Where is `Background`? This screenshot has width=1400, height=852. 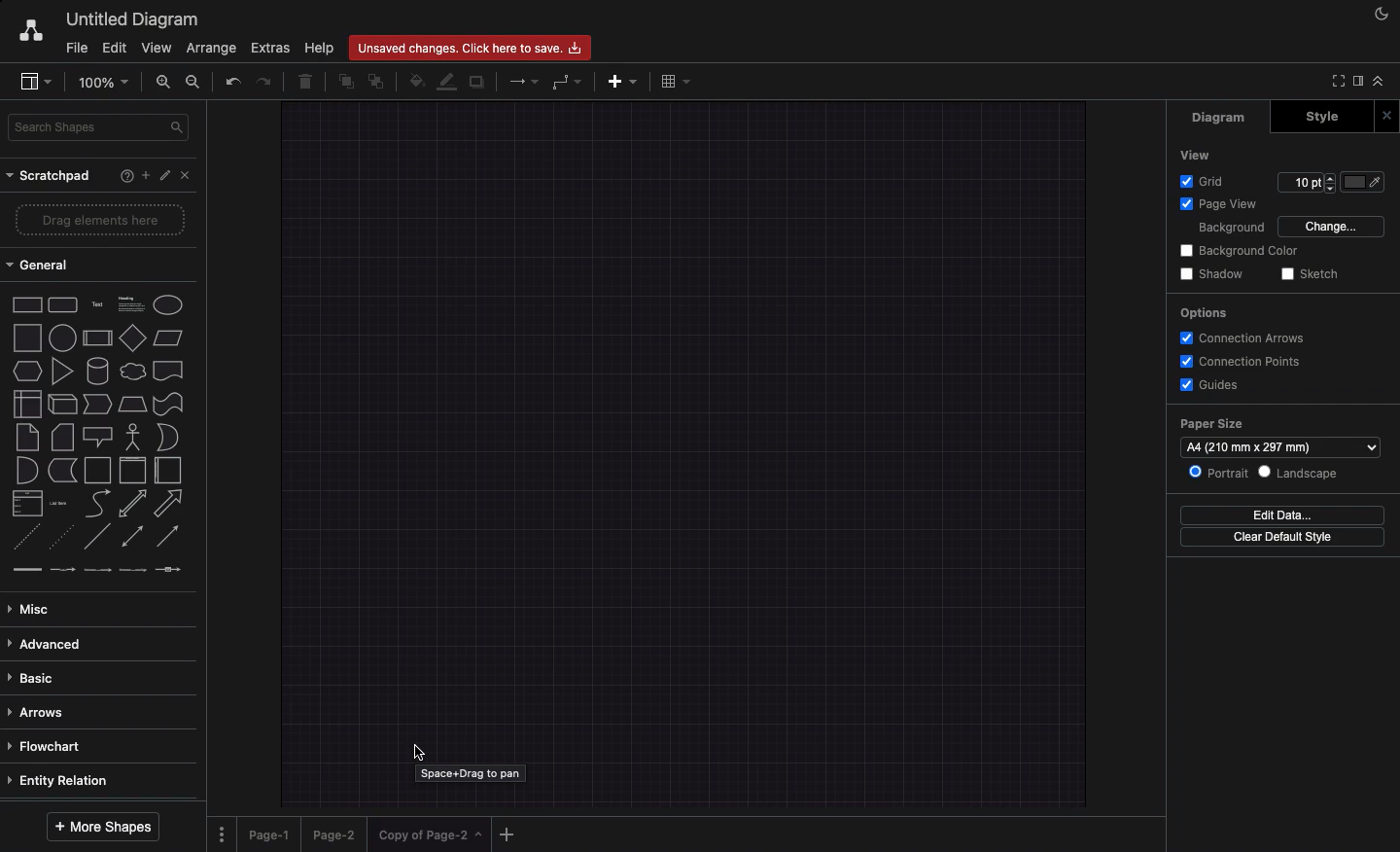 Background is located at coordinates (1229, 228).